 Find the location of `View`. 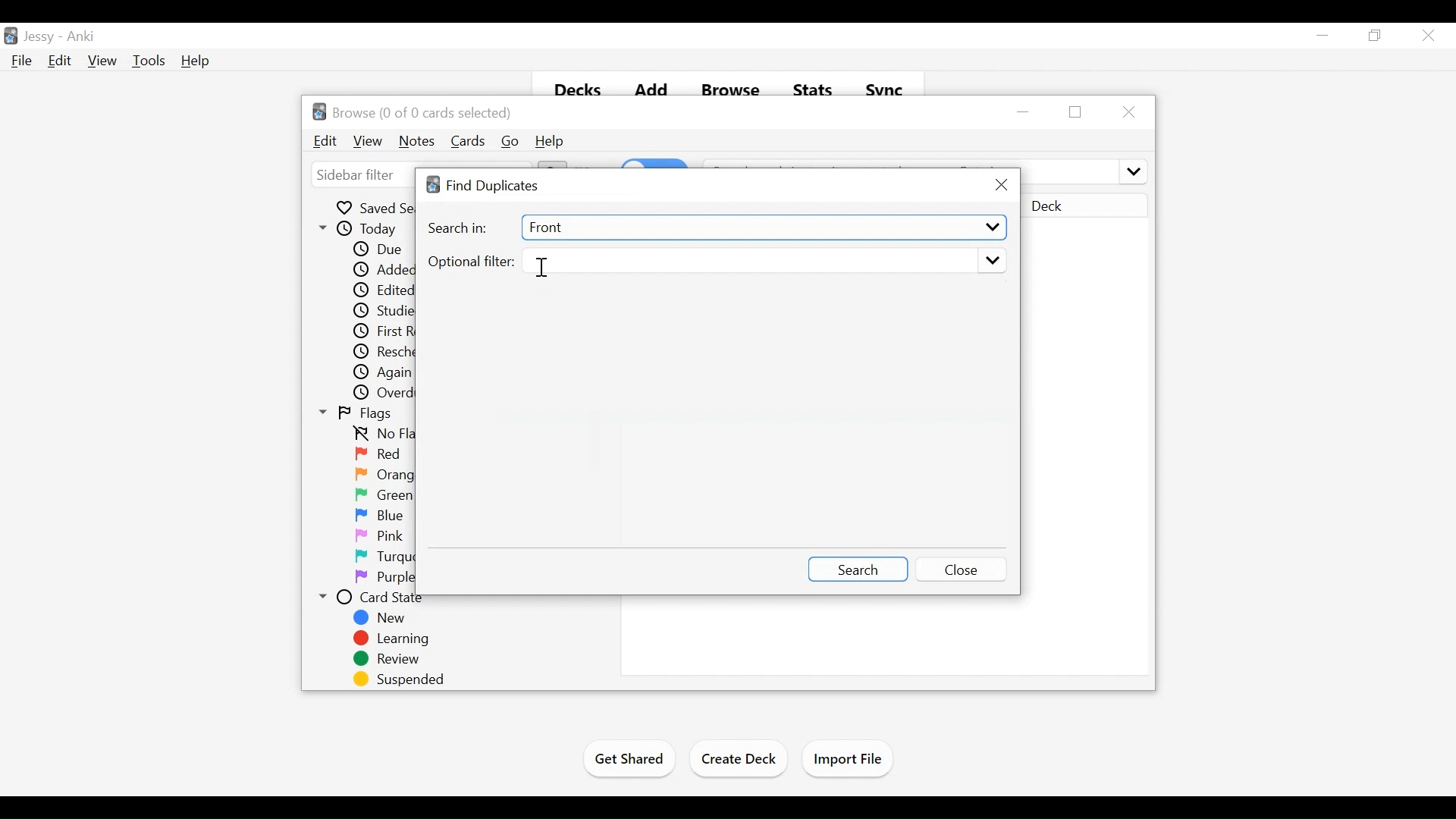

View is located at coordinates (102, 61).